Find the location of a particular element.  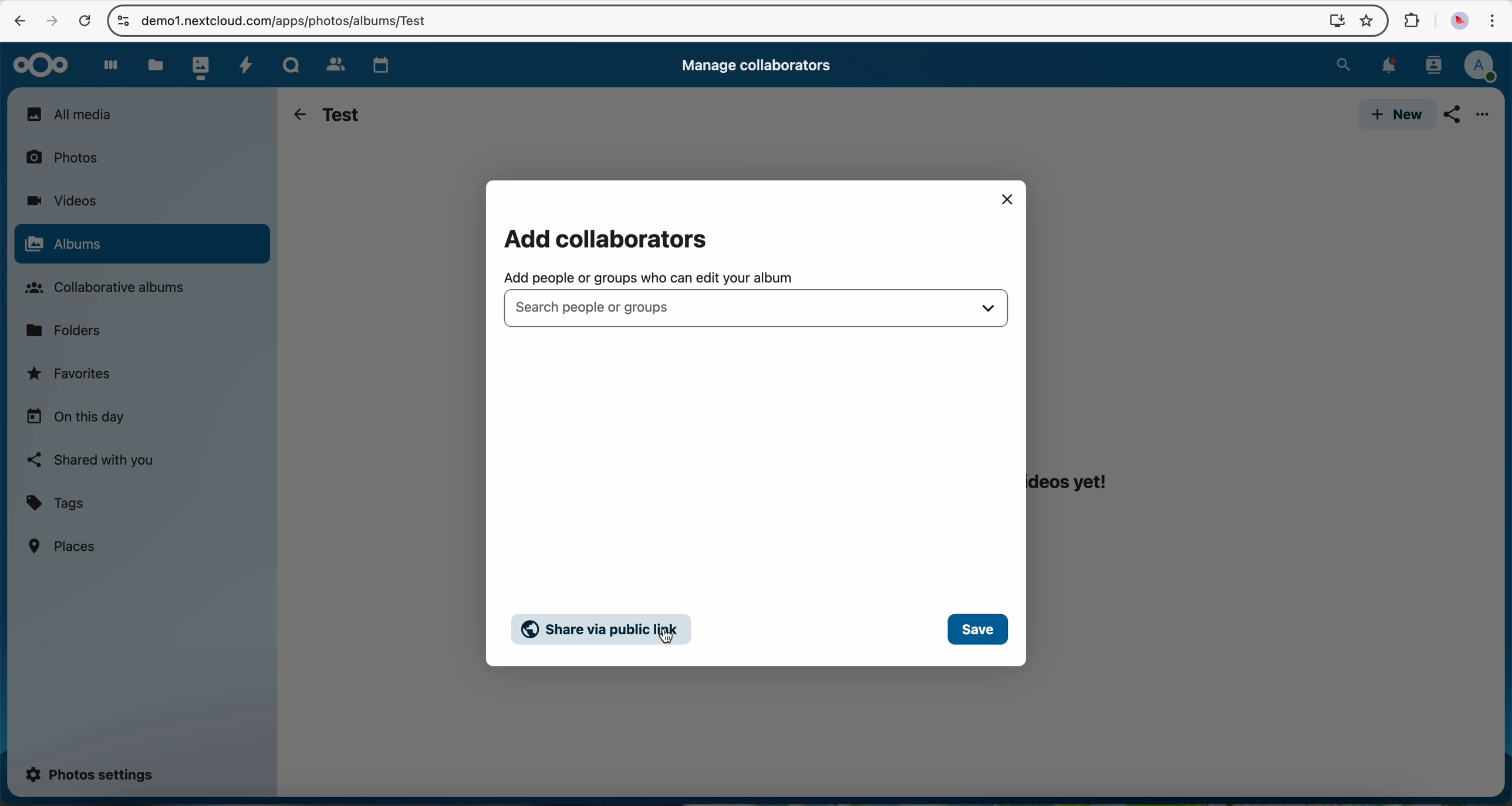

save button is located at coordinates (978, 629).